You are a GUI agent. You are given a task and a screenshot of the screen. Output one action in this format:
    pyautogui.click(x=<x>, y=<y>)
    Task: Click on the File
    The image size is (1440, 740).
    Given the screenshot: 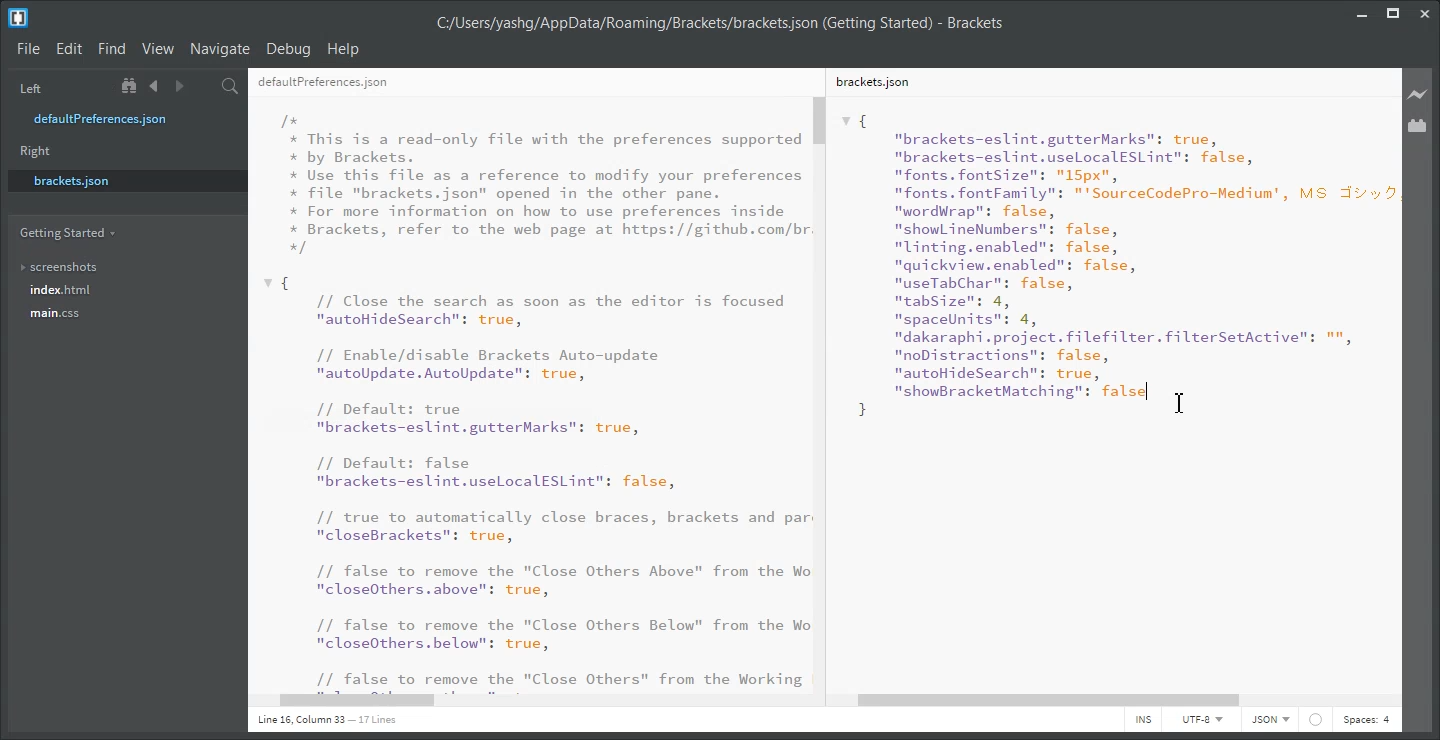 What is the action you would take?
    pyautogui.click(x=28, y=50)
    